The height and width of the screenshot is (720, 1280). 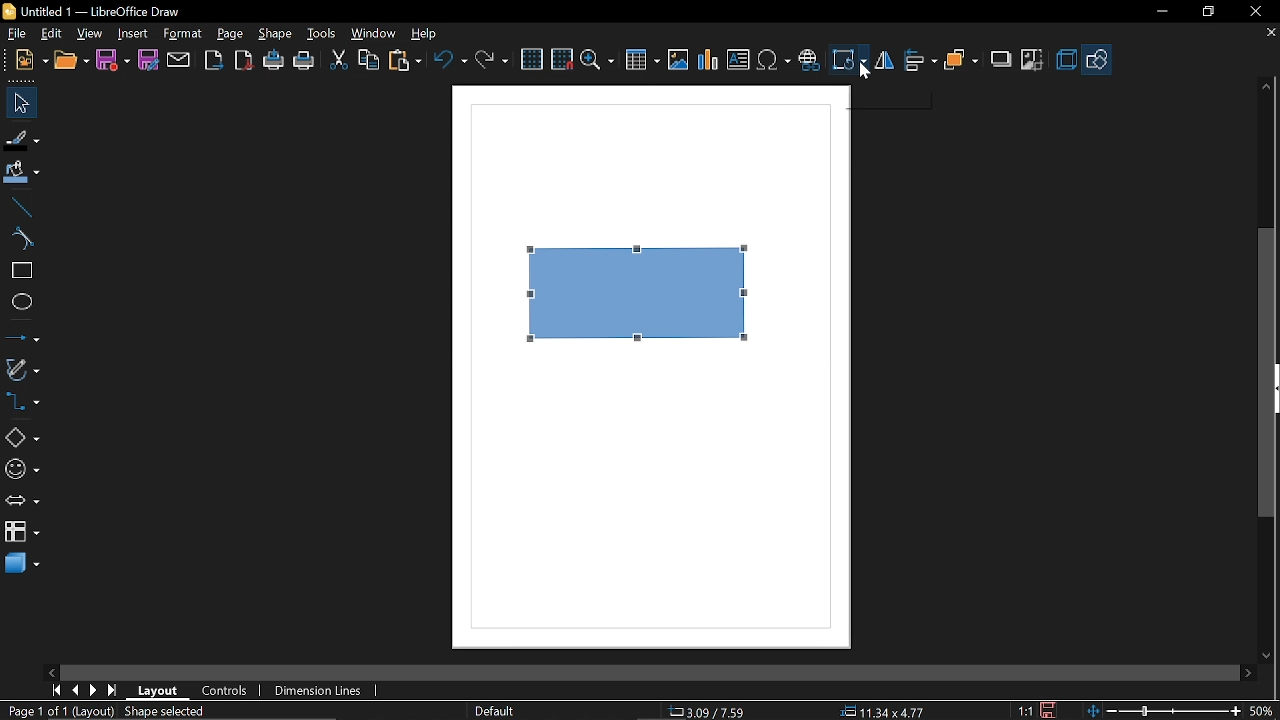 What do you see at coordinates (452, 59) in the screenshot?
I see `UNdo` at bounding box center [452, 59].